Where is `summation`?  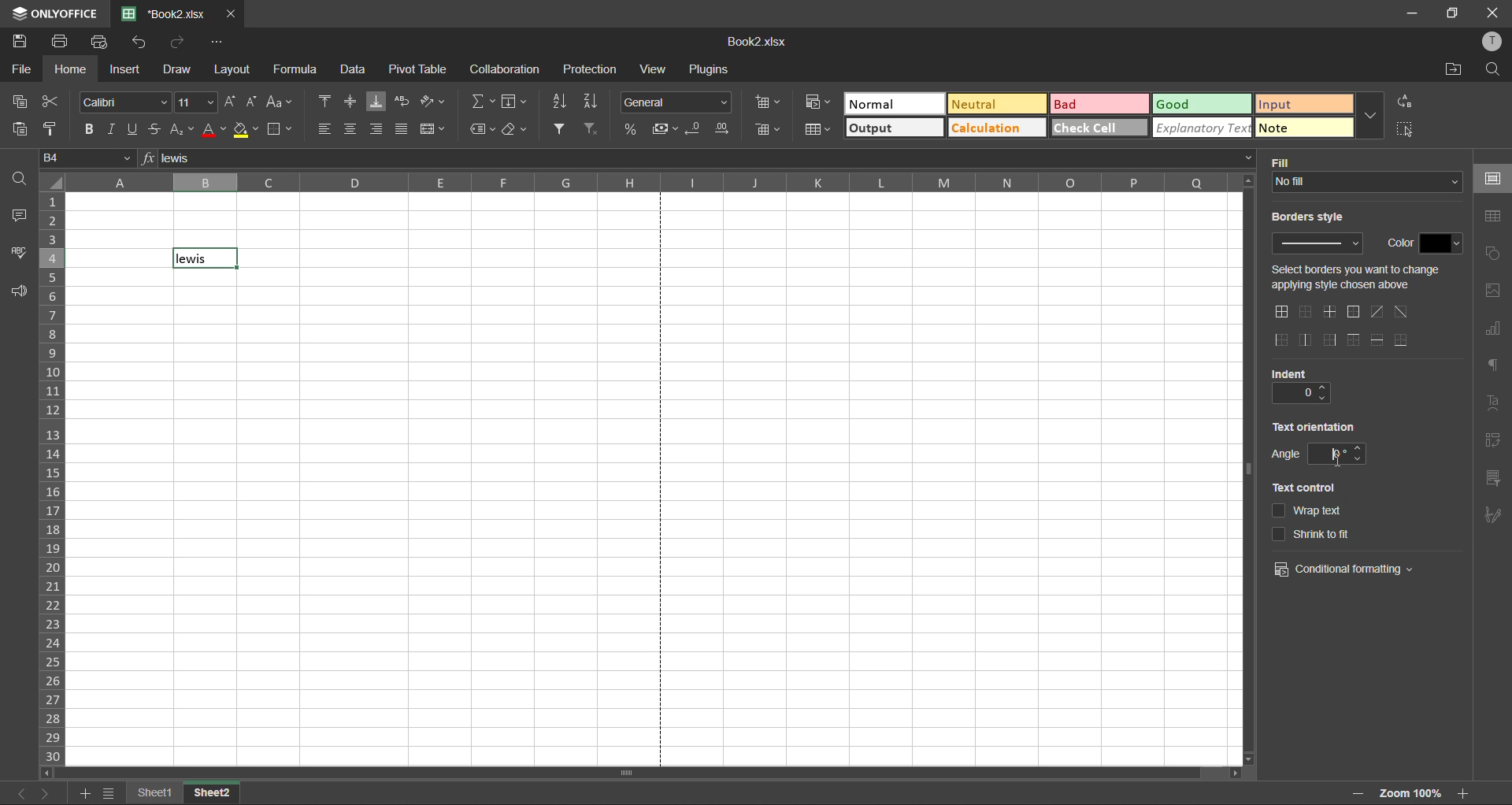
summation is located at coordinates (482, 101).